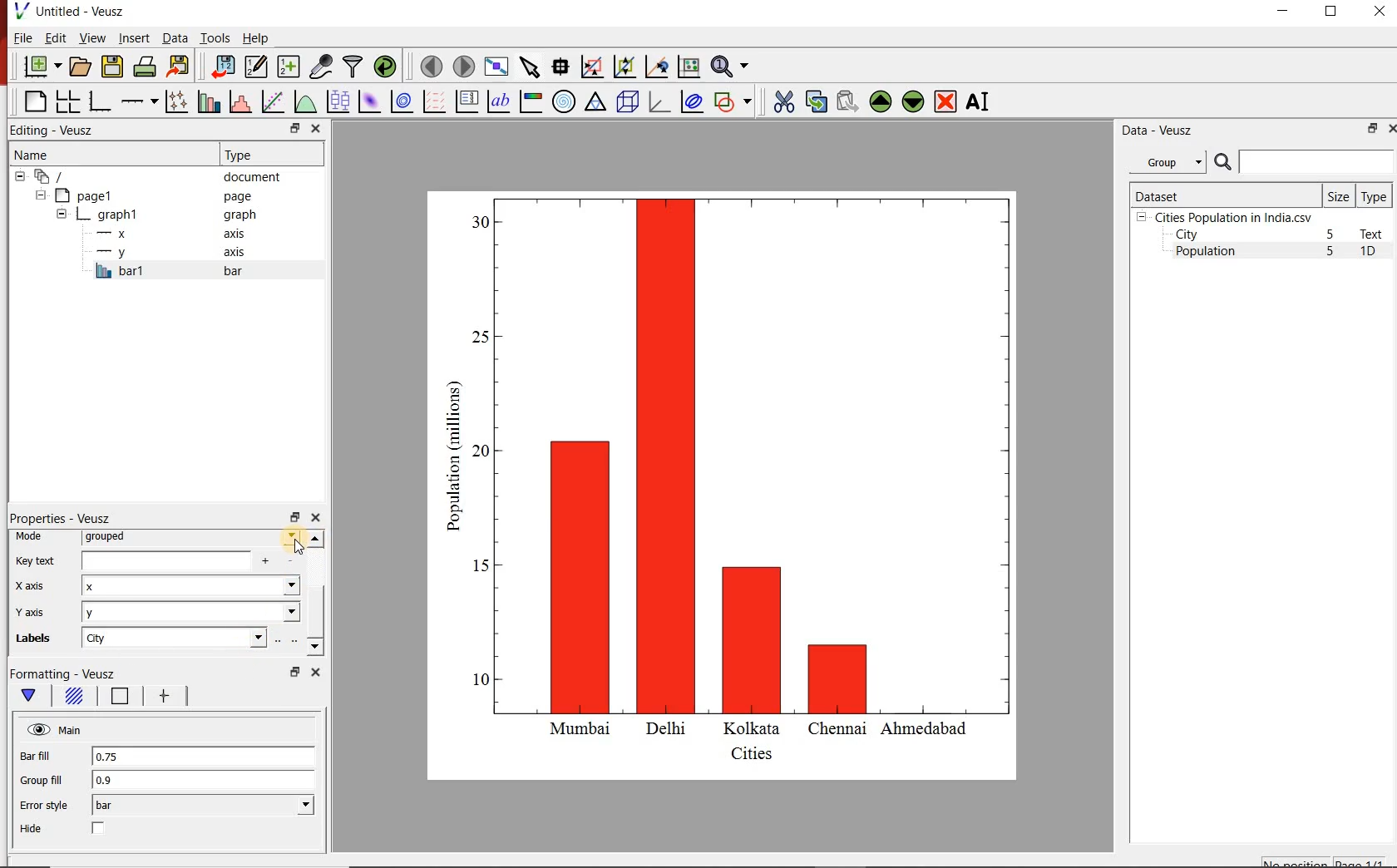 This screenshot has height=868, width=1397. What do you see at coordinates (1187, 234) in the screenshot?
I see `City` at bounding box center [1187, 234].